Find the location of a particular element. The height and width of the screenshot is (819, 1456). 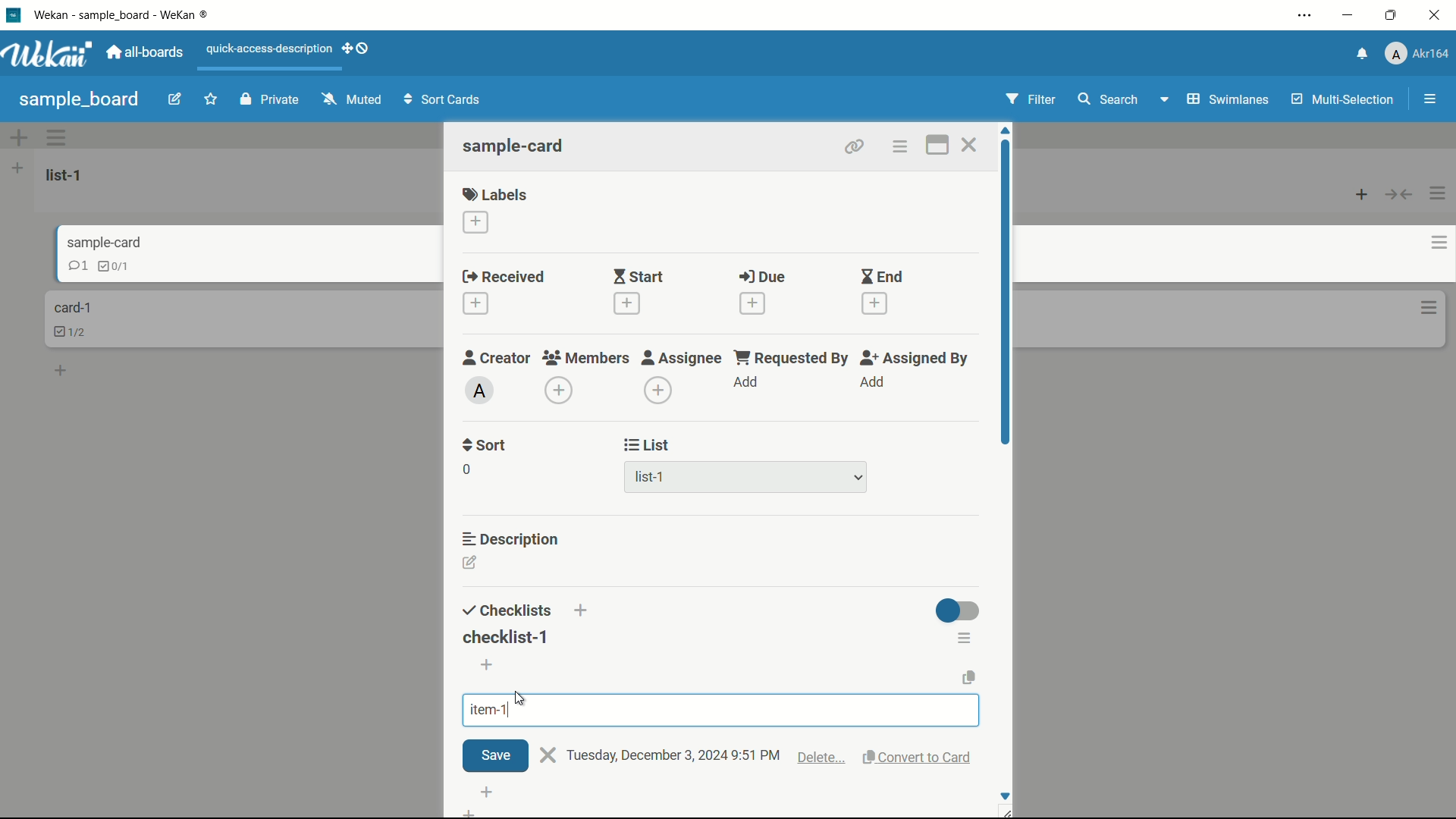

add date is located at coordinates (875, 303).